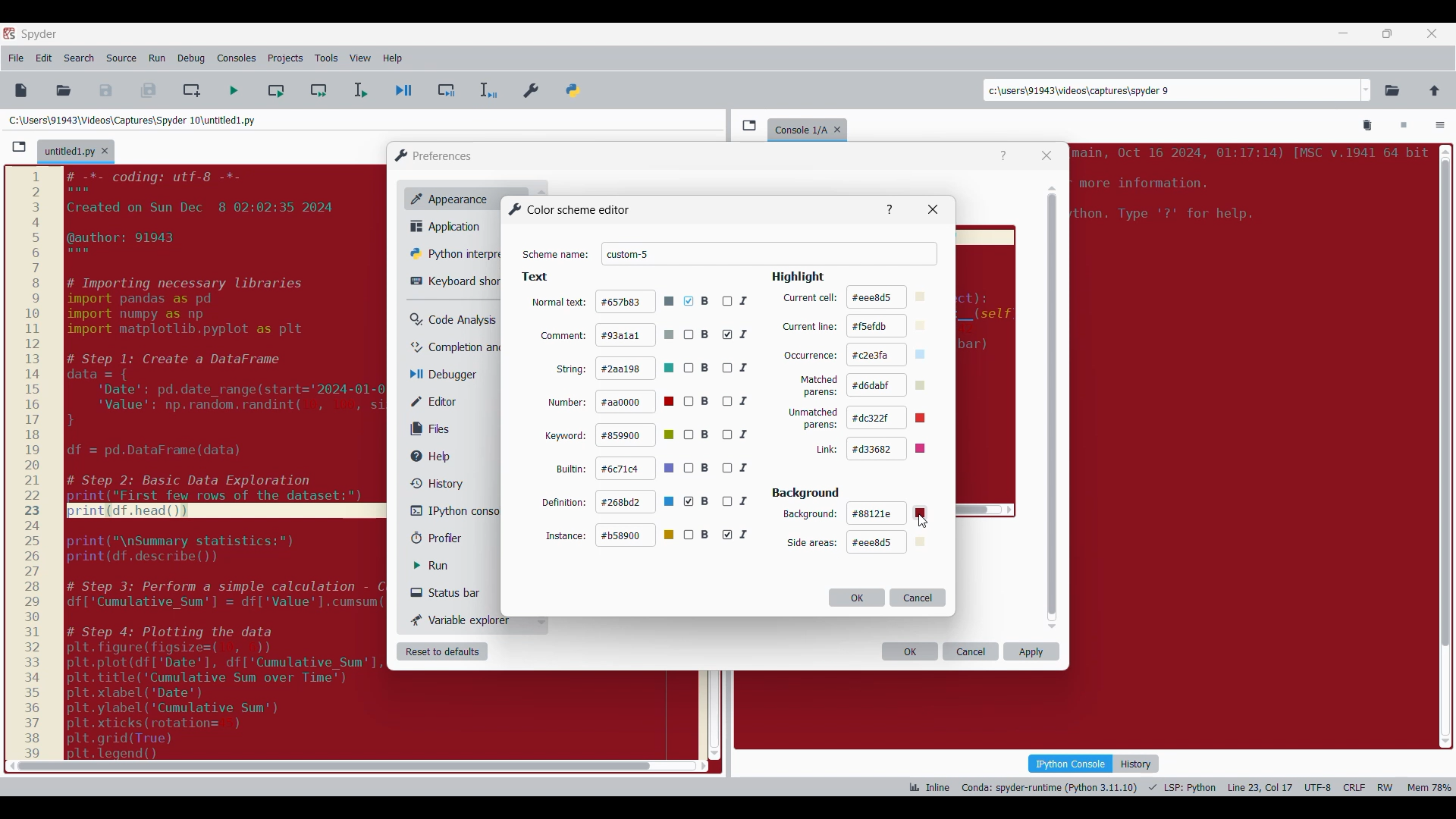  I want to click on Profiler, so click(450, 538).